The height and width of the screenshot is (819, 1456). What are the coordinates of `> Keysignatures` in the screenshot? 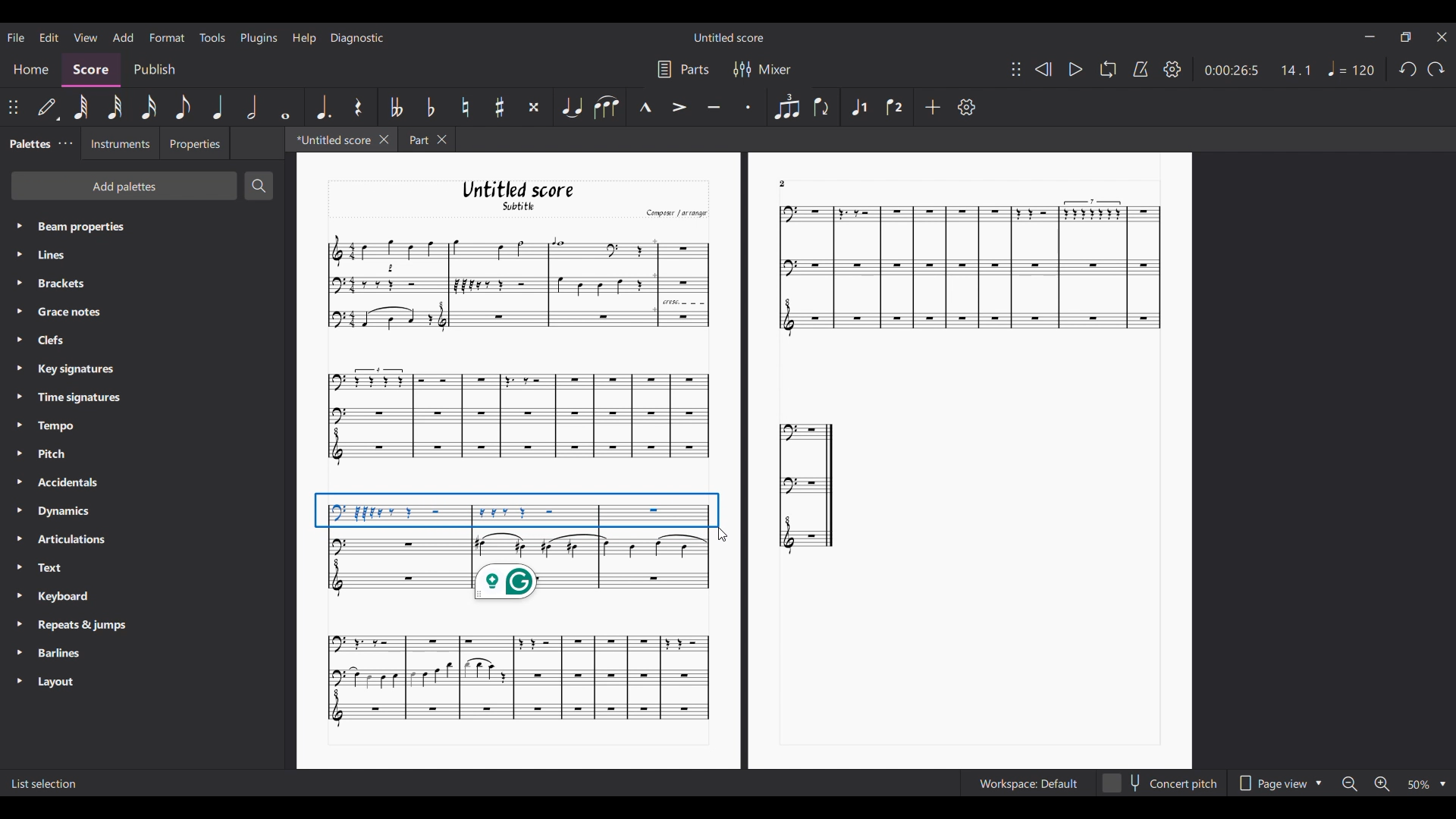 It's located at (67, 367).